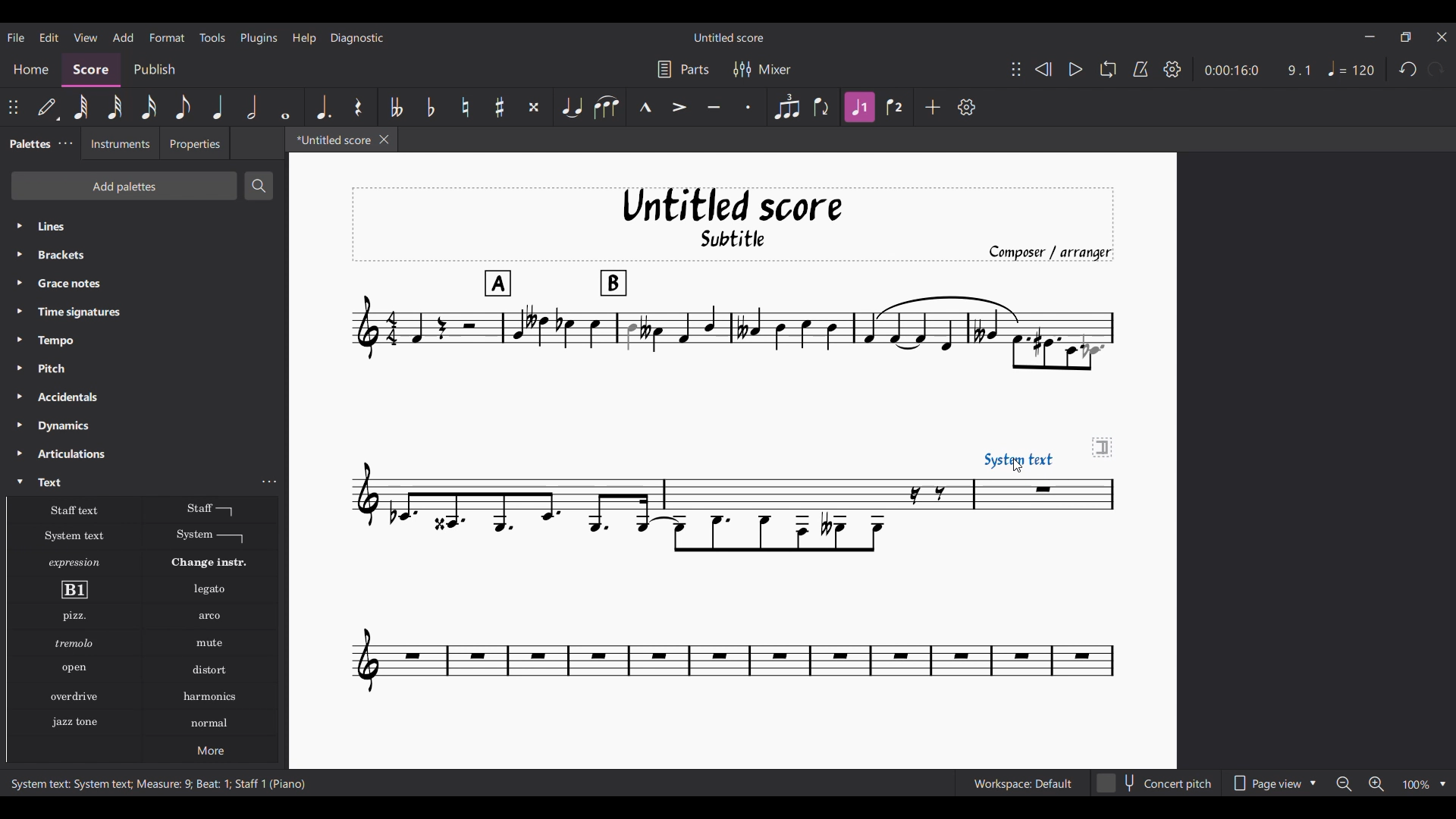 This screenshot has width=1456, height=819. Describe the element at coordinates (74, 563) in the screenshot. I see `Expression text` at that location.